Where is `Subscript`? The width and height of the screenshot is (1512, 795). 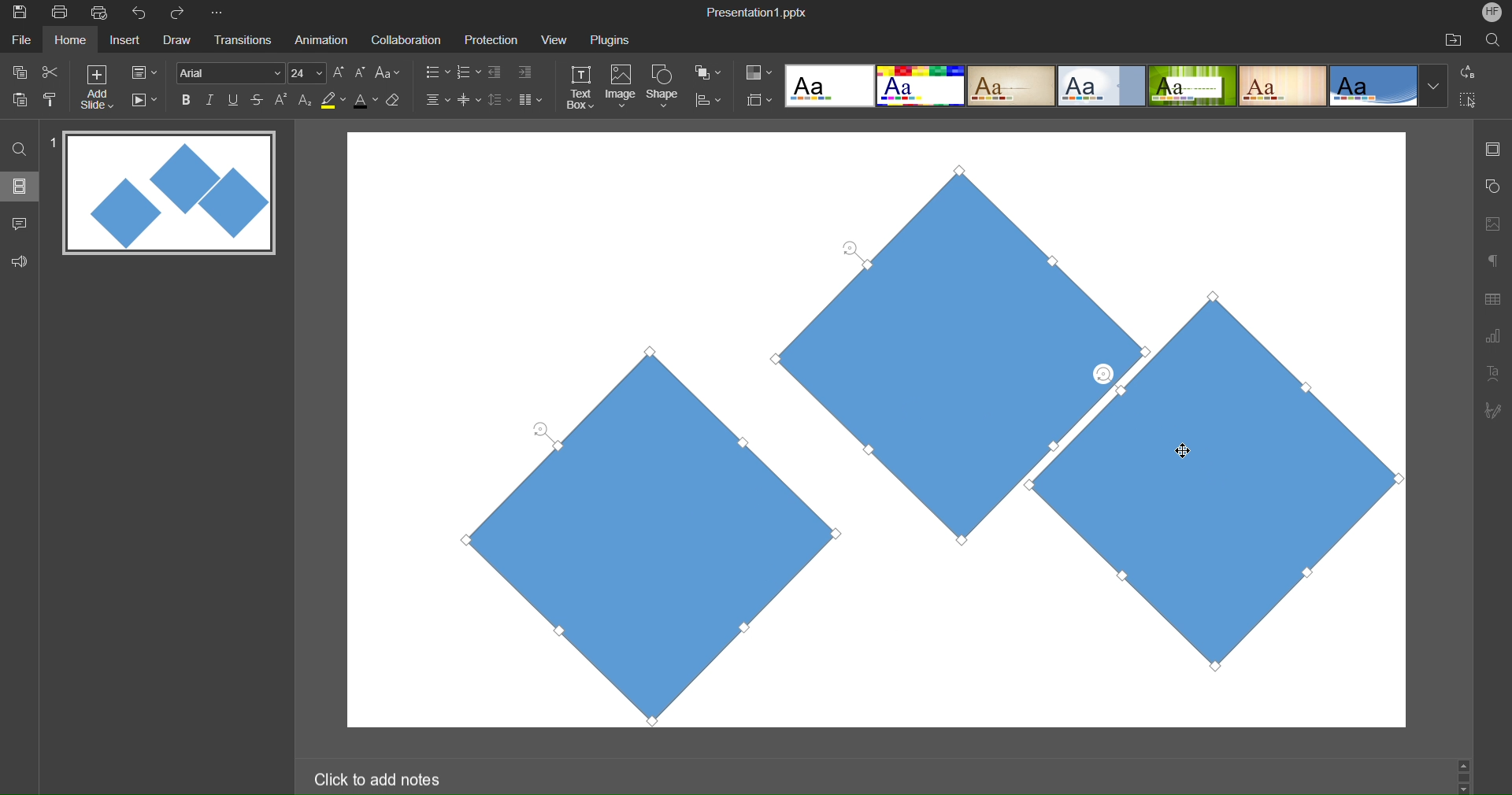 Subscript is located at coordinates (306, 99).